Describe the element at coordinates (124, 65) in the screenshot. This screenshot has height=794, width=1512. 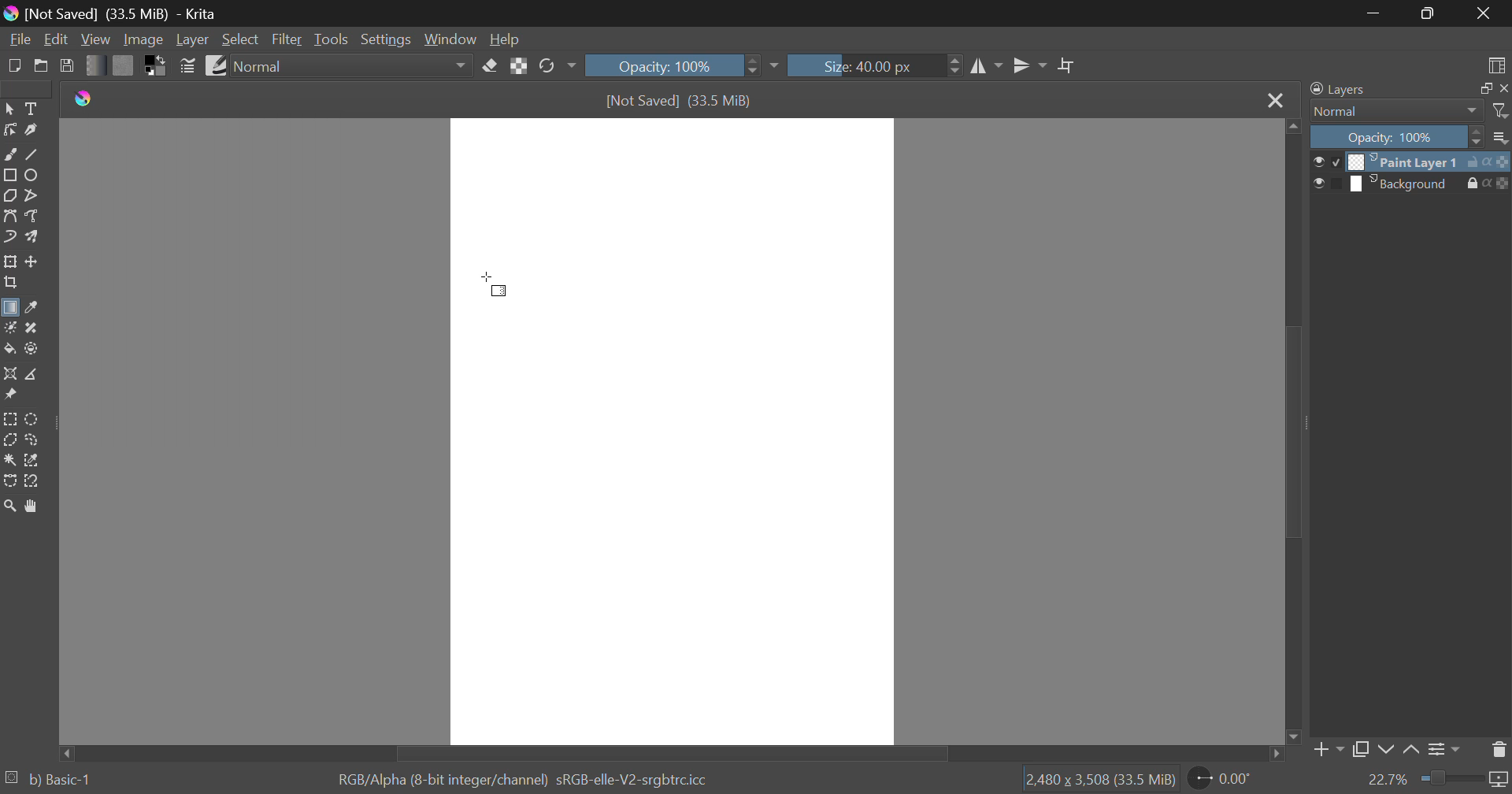
I see `Pattern` at that location.